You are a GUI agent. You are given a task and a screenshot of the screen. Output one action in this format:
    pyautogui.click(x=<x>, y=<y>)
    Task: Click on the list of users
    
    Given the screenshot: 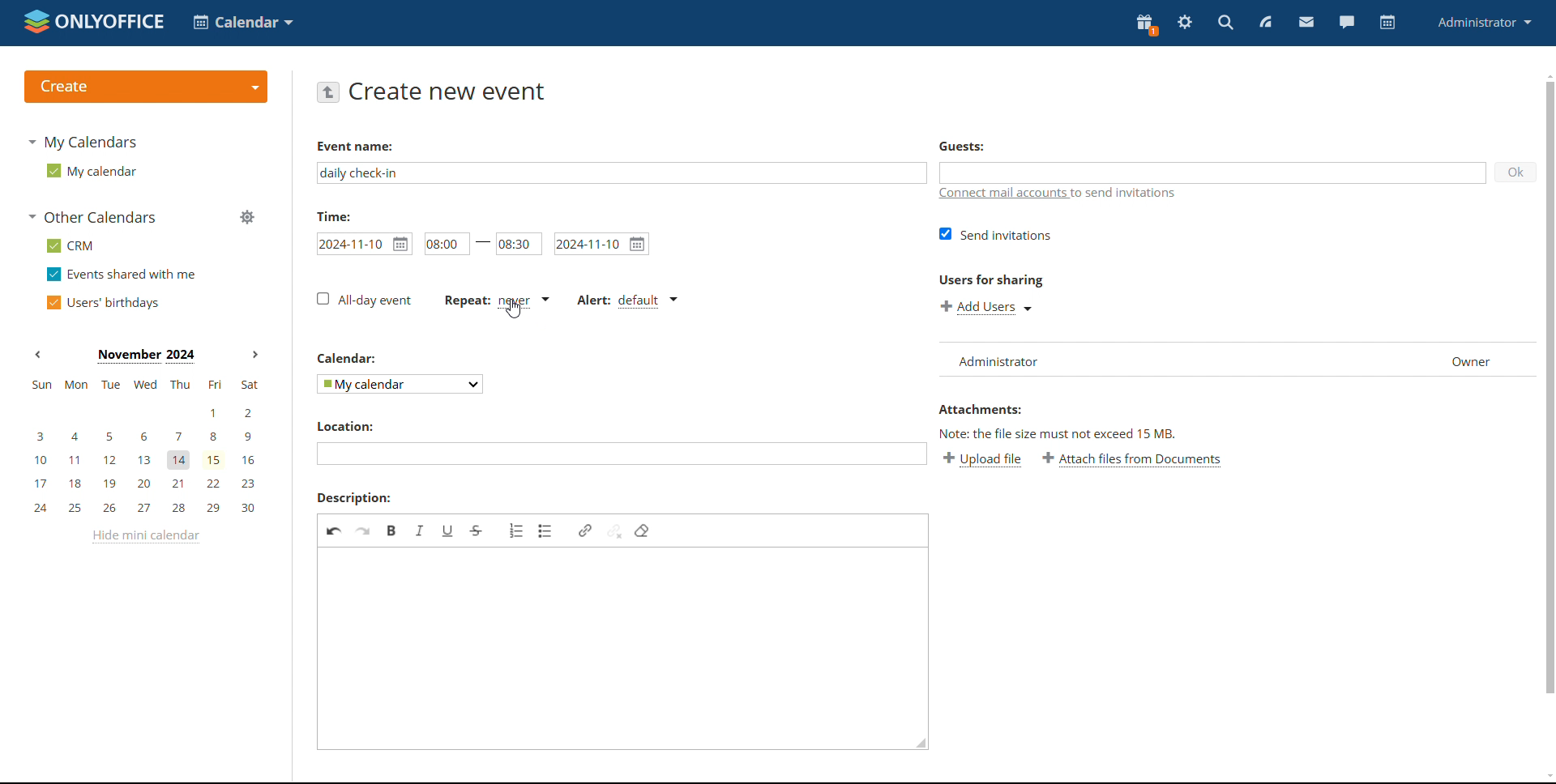 What is the action you would take?
    pyautogui.click(x=1005, y=358)
    